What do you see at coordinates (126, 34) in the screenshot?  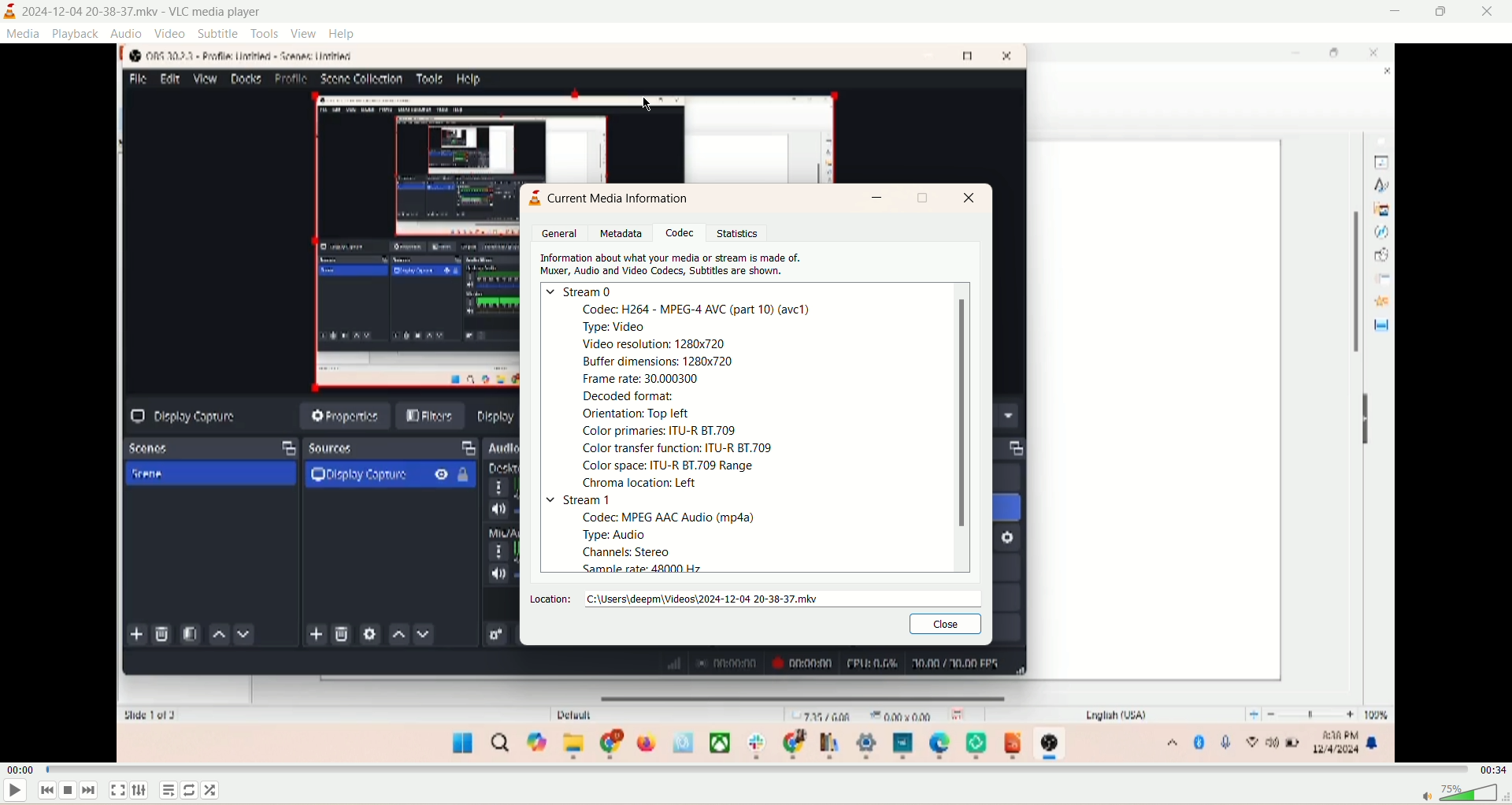 I see `audio` at bounding box center [126, 34].